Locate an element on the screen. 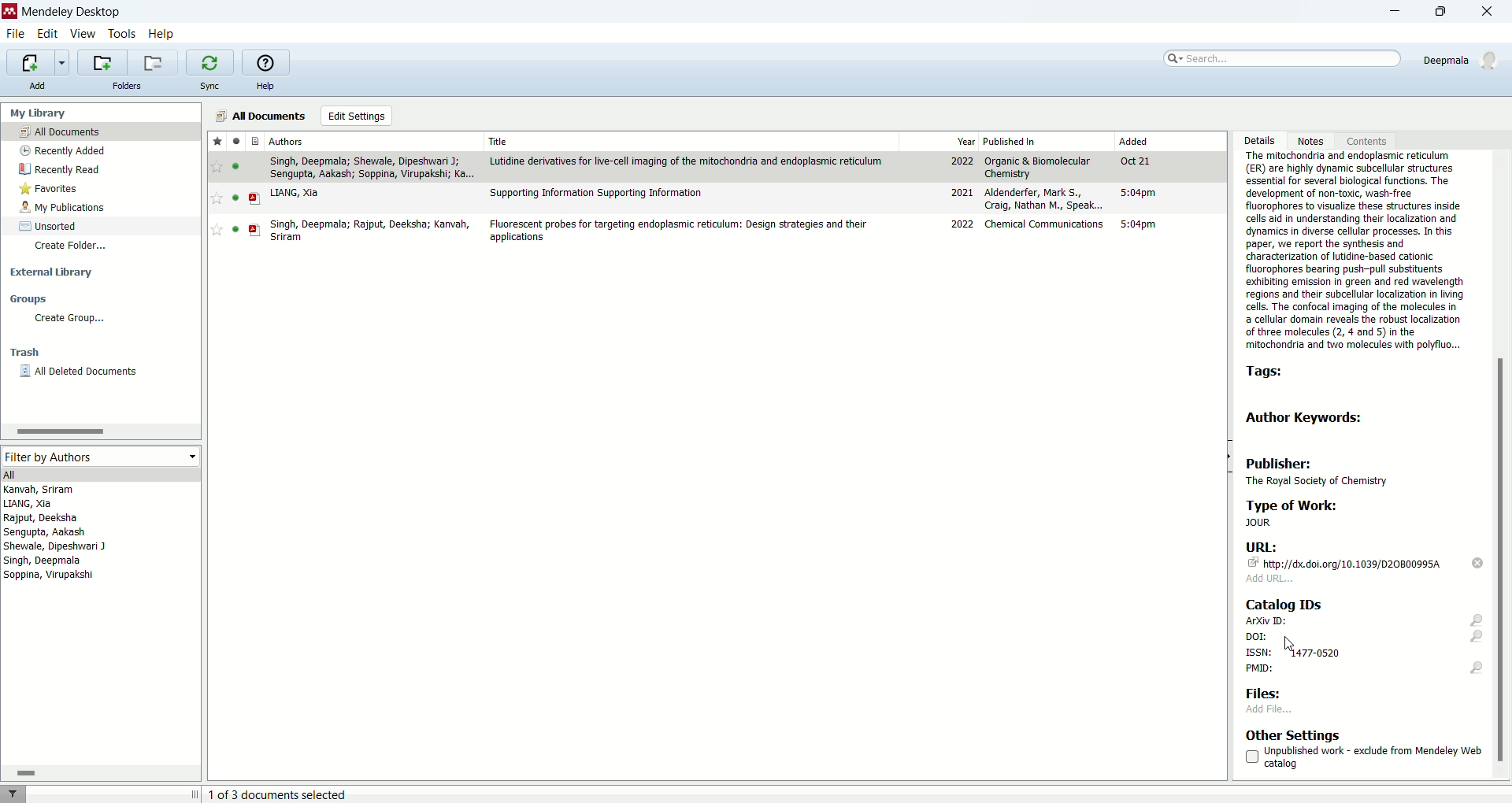 The image size is (1512, 803). maximize is located at coordinates (1447, 11).